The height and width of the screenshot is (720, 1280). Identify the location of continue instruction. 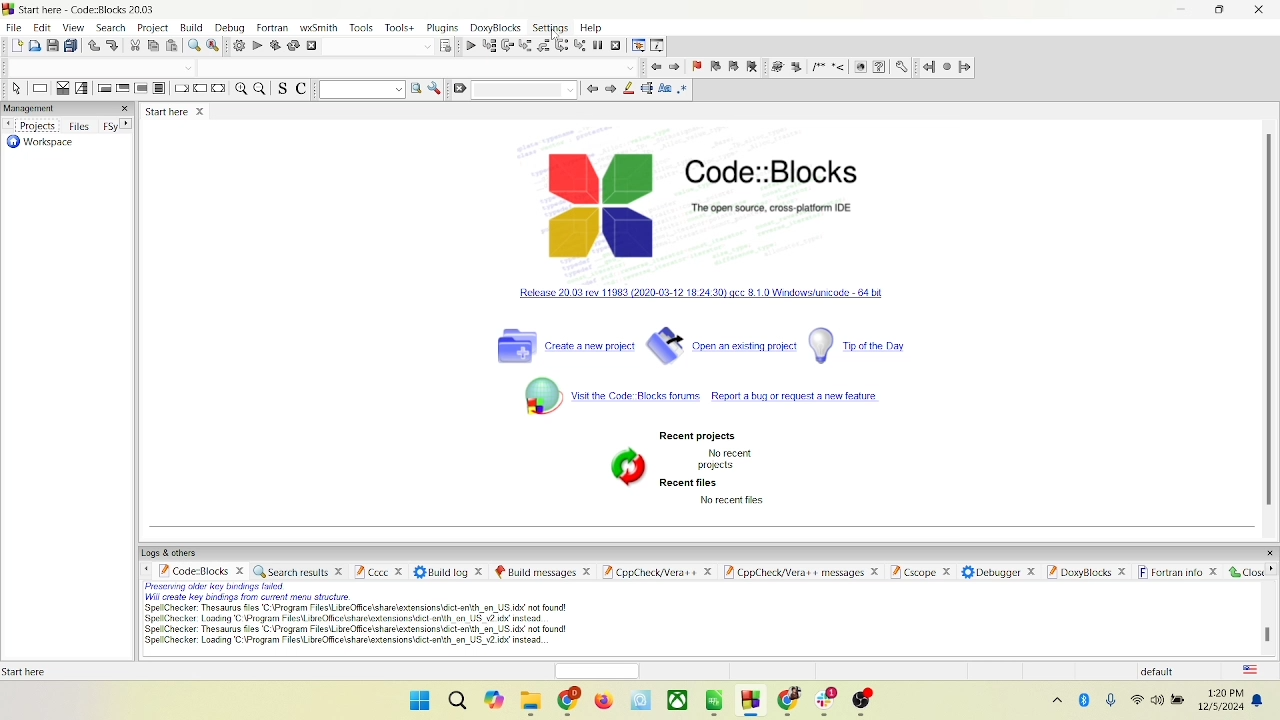
(201, 88).